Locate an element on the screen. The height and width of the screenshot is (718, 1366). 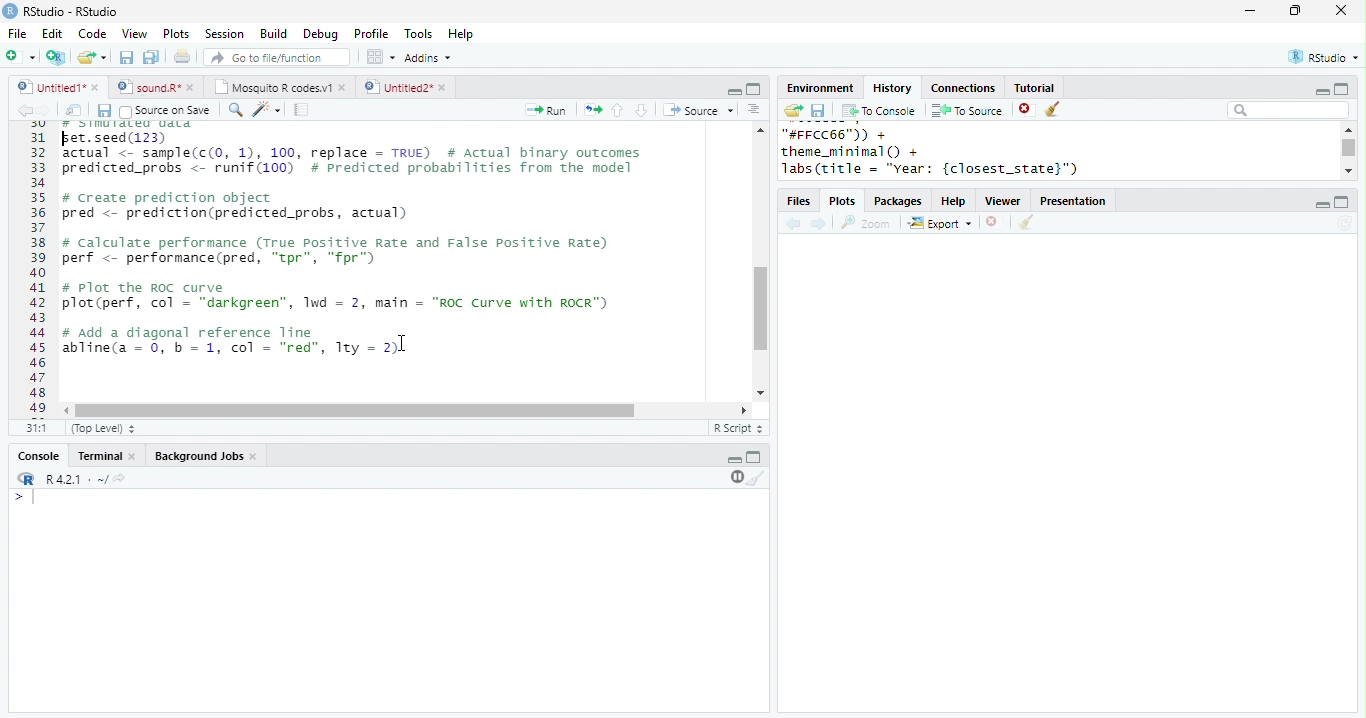
Plots is located at coordinates (177, 33).